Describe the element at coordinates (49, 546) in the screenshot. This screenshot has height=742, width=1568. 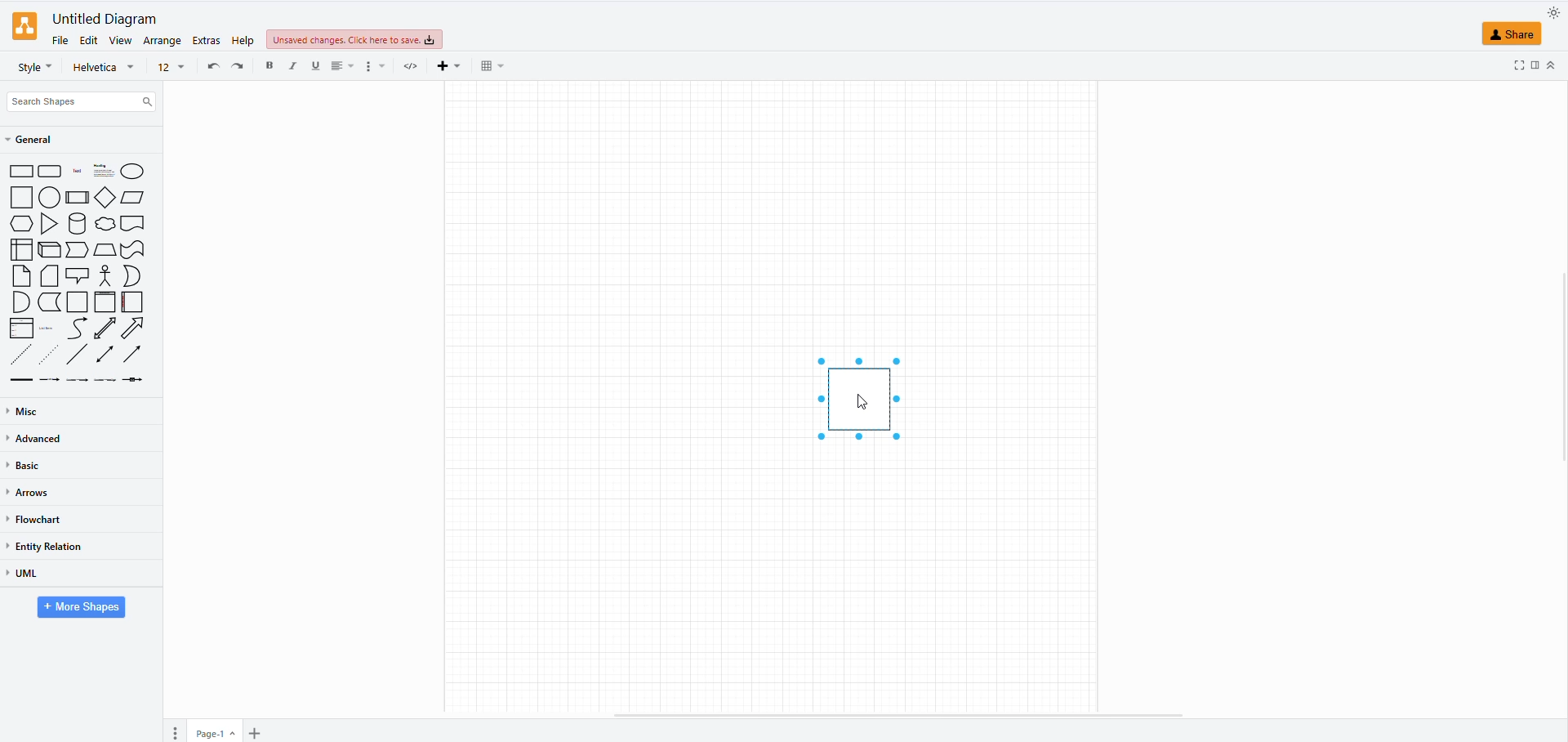
I see `entity relation` at that location.